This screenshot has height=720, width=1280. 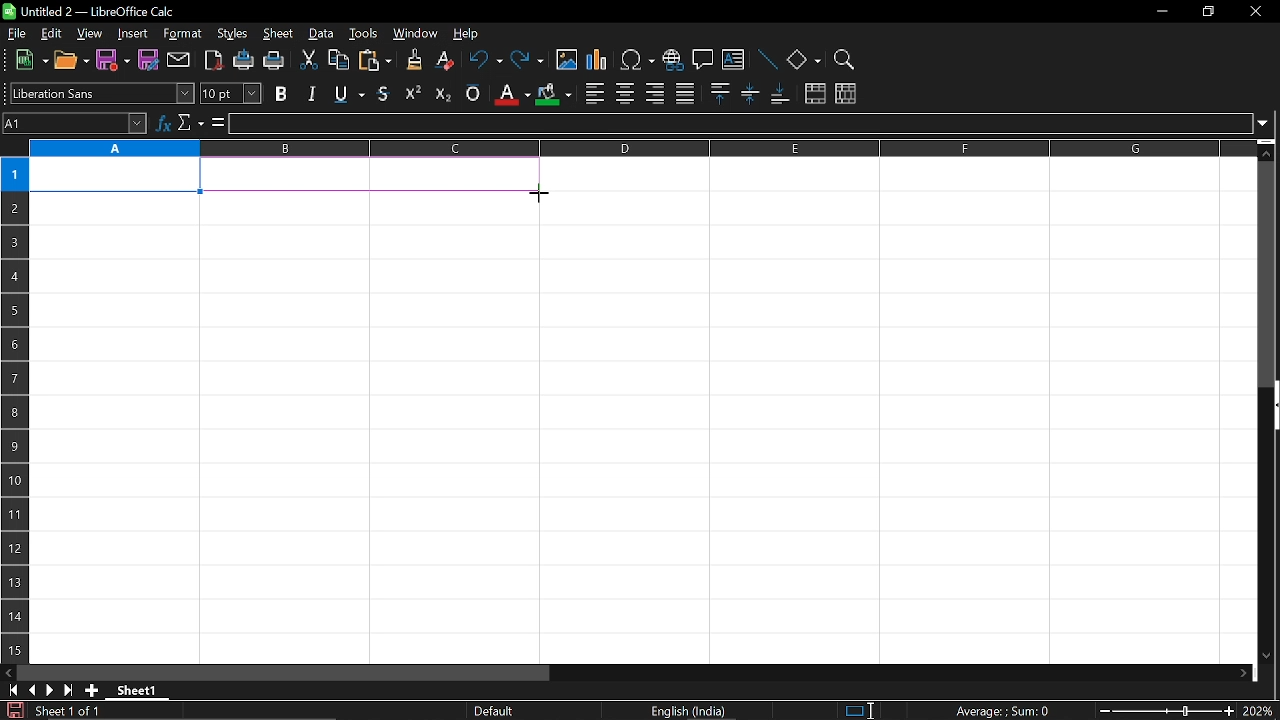 I want to click on styles, so click(x=232, y=35).